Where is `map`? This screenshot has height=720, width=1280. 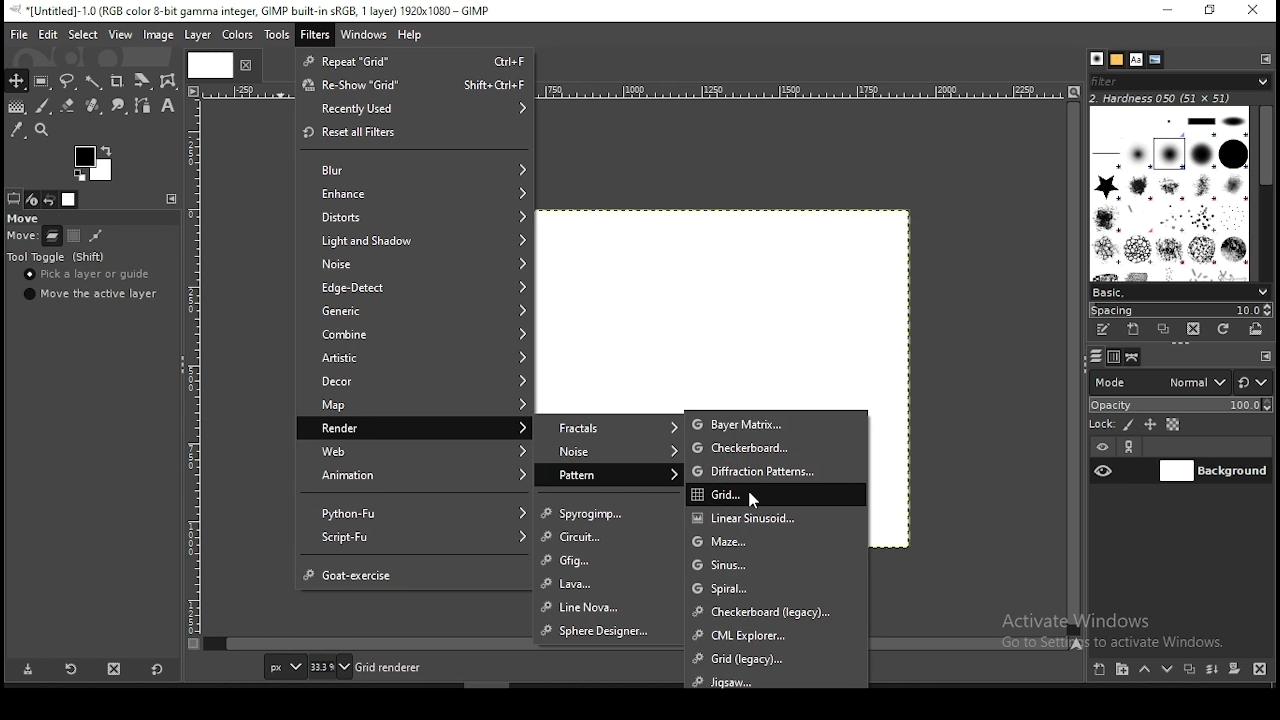
map is located at coordinates (414, 406).